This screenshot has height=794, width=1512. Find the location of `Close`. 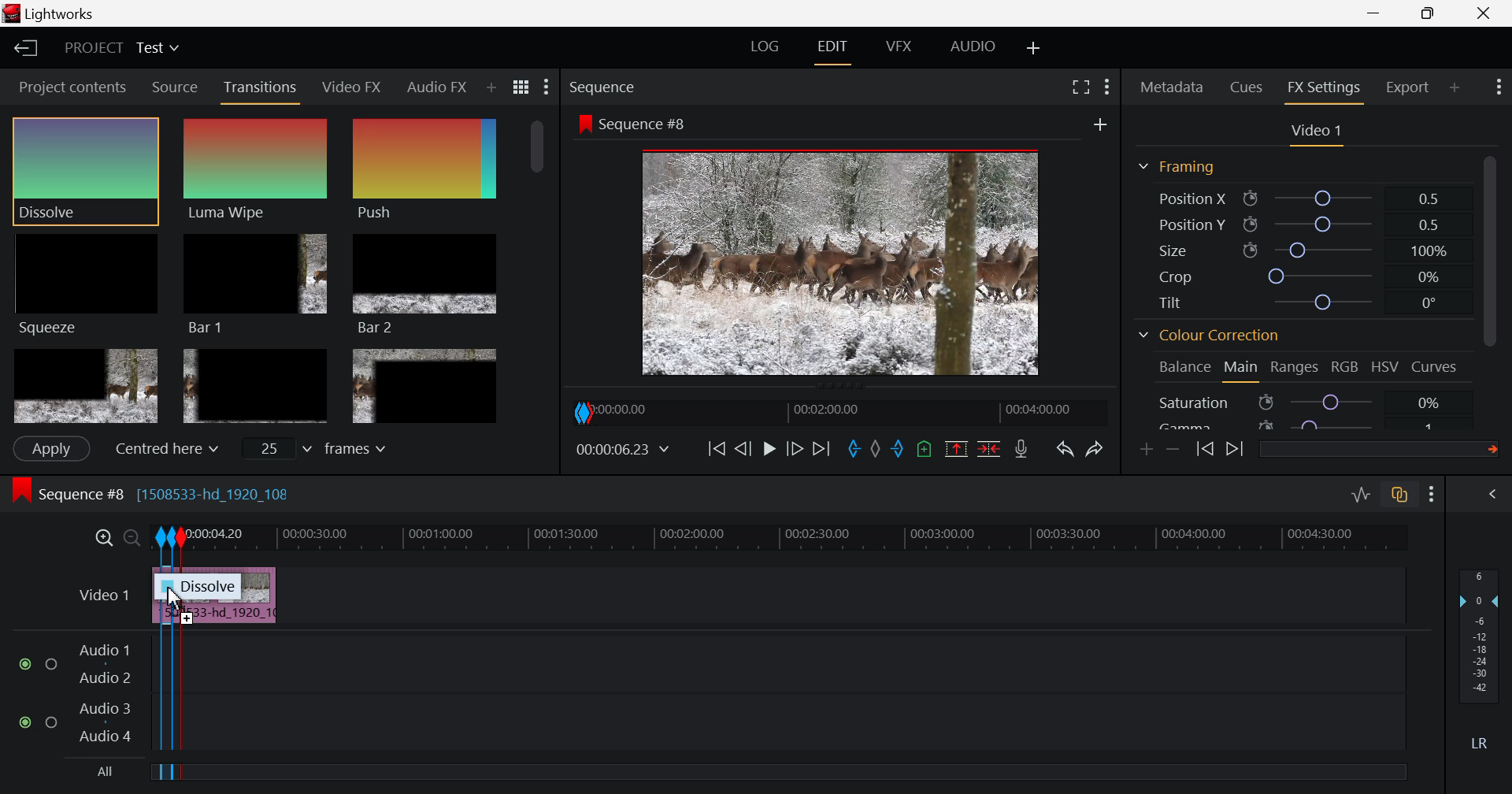

Close is located at coordinates (1480, 13).